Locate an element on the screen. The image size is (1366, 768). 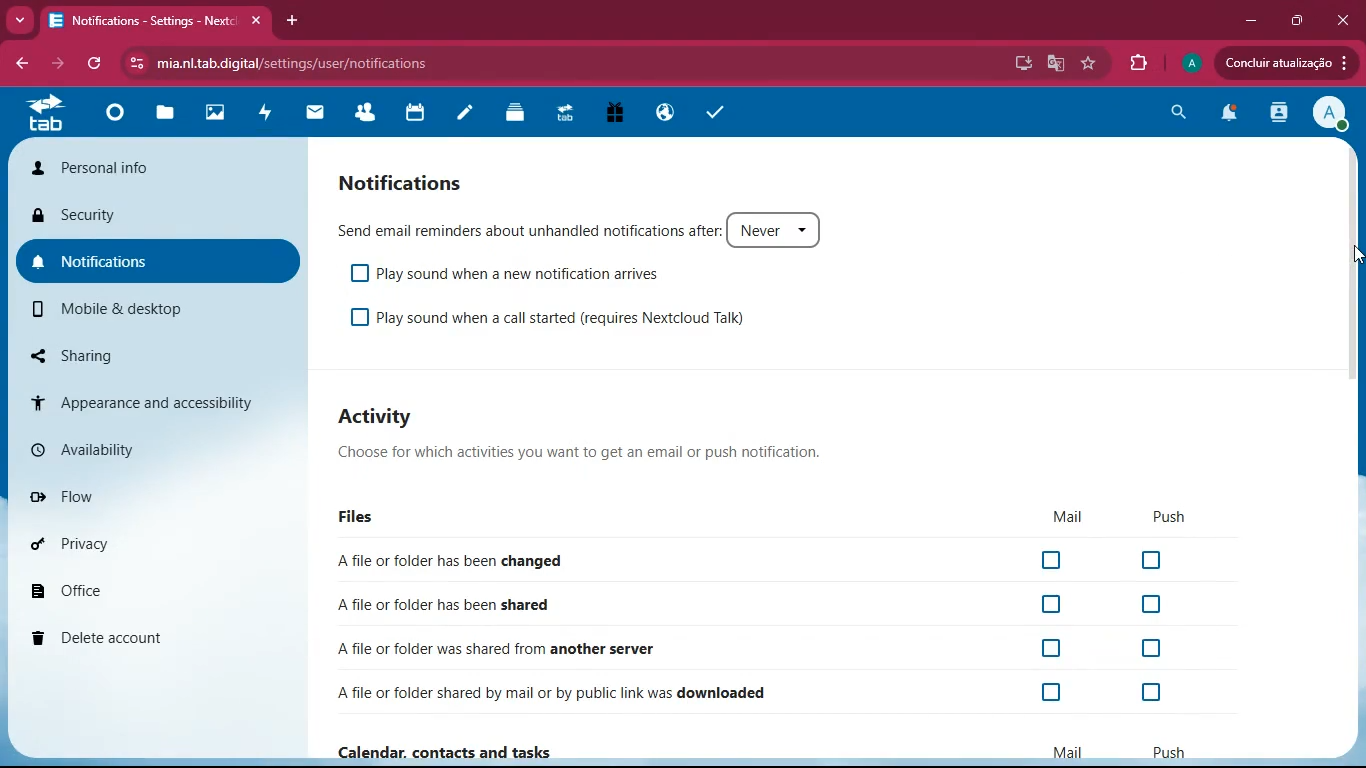
cursor is located at coordinates (1357, 257).